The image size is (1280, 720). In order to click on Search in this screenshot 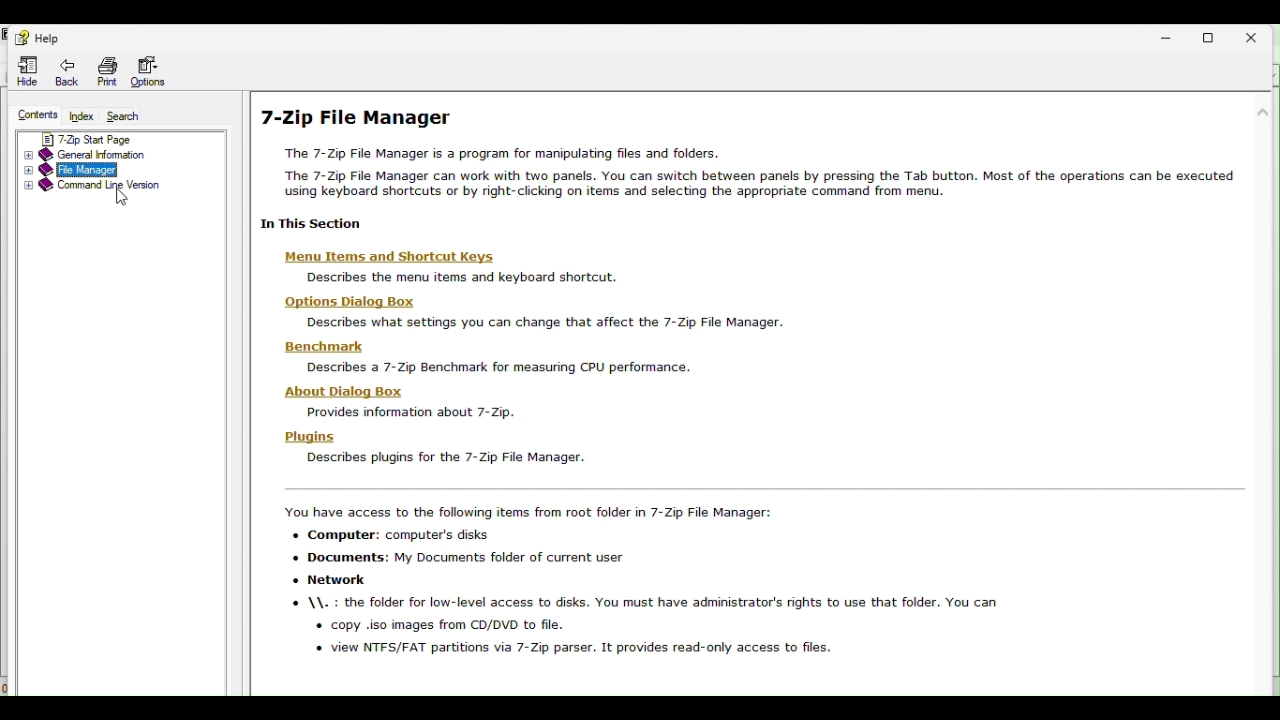, I will do `click(124, 117)`.